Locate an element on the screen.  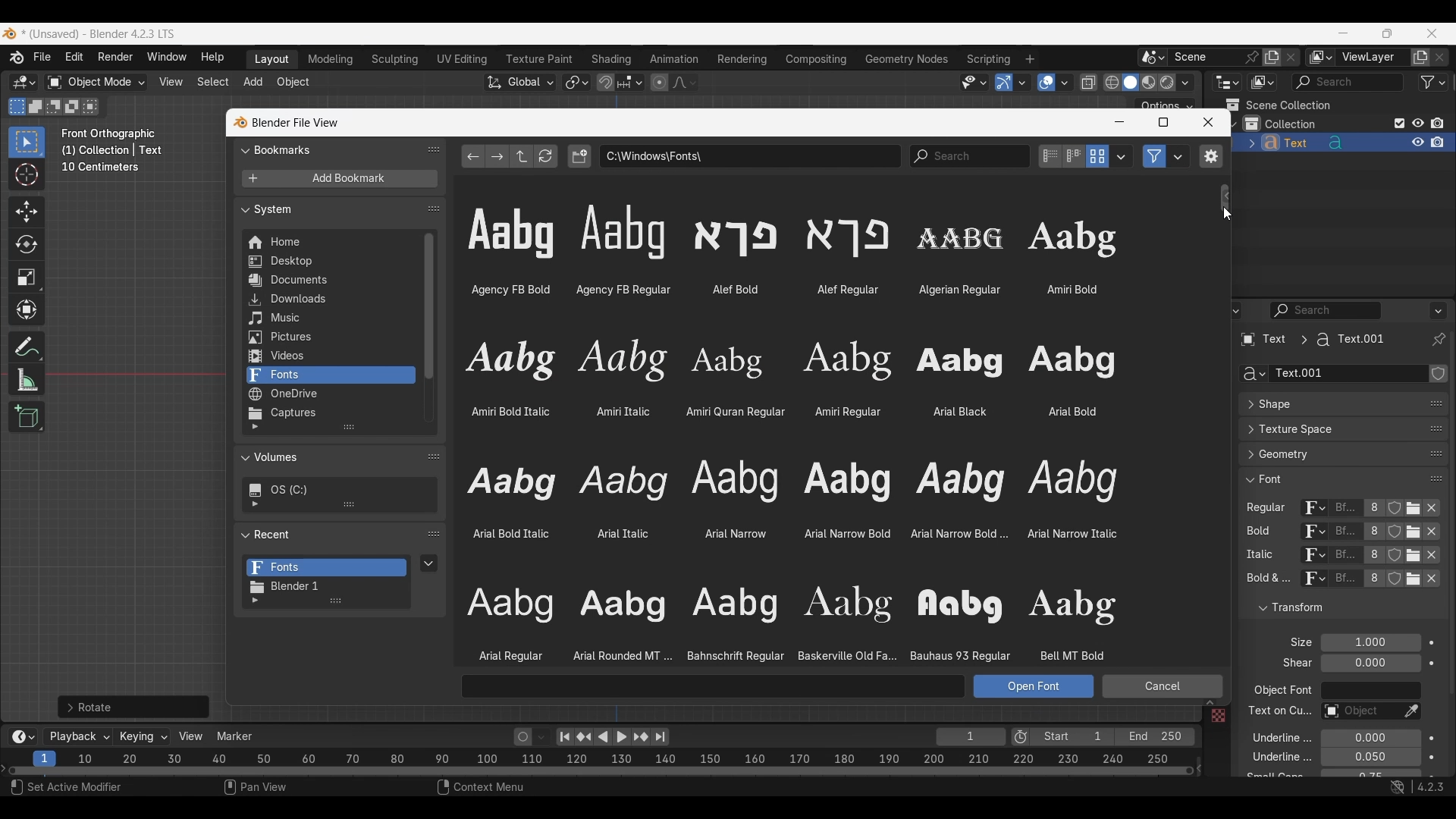
Maximize is located at coordinates (1163, 122).